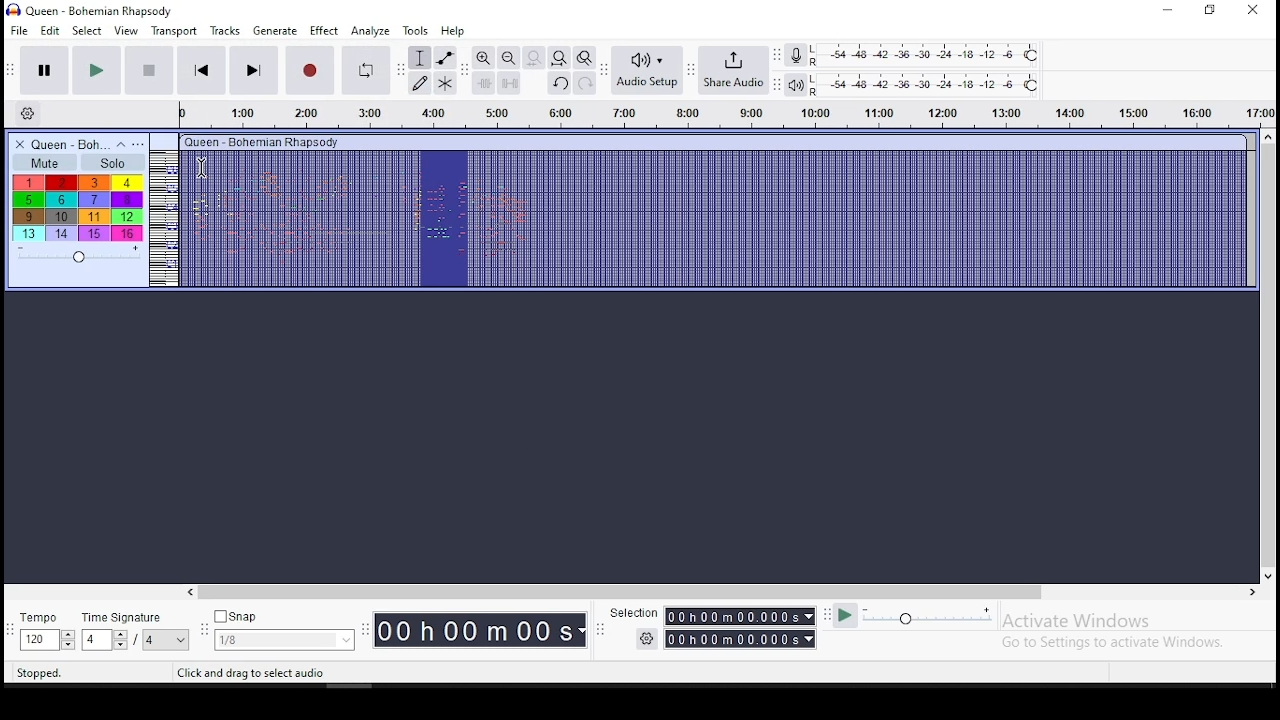 This screenshot has width=1280, height=720. I want to click on snap, so click(285, 631).